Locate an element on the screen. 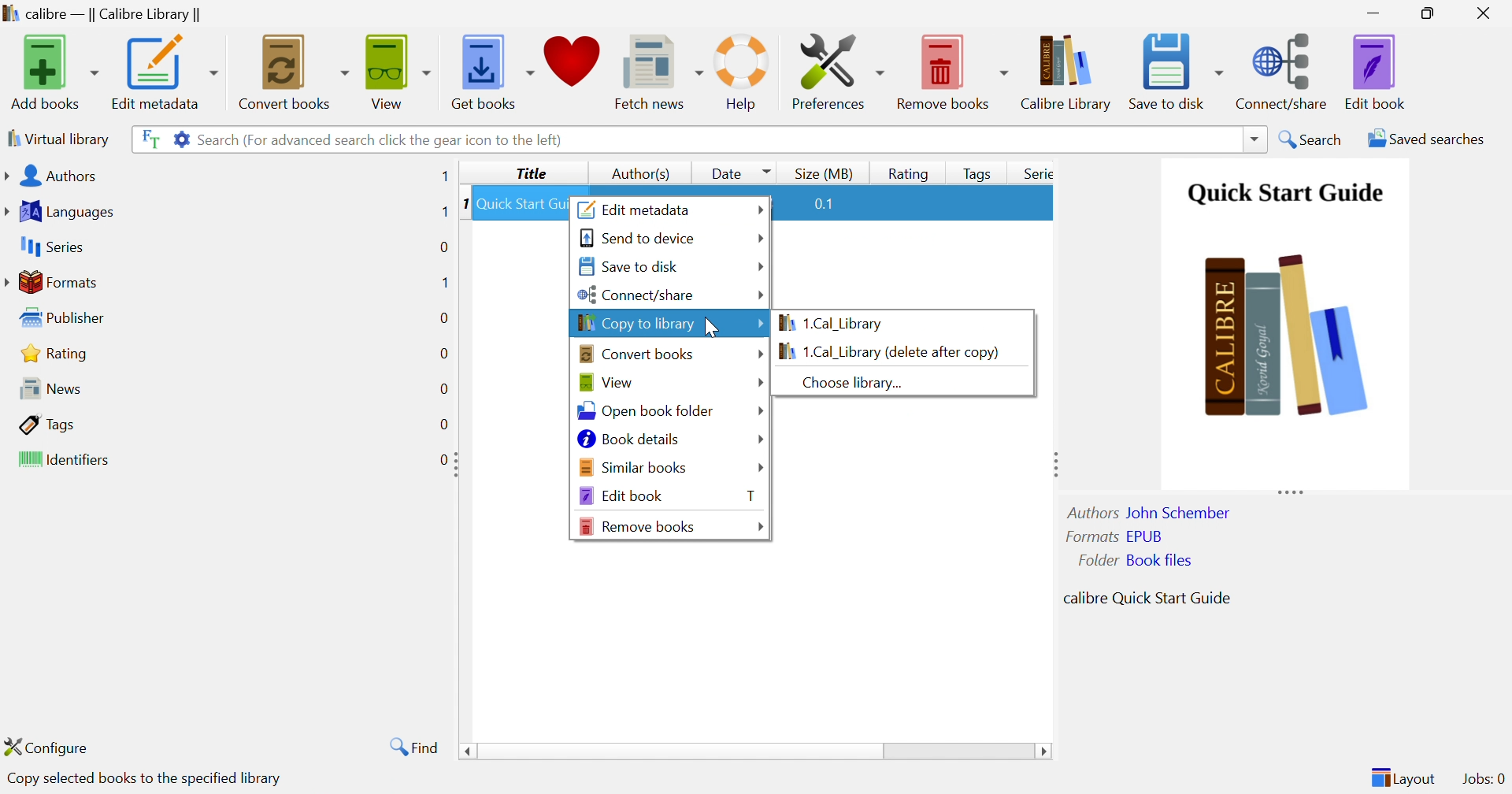 The height and width of the screenshot is (794, 1512). Formats EPUB is located at coordinates (1114, 536).